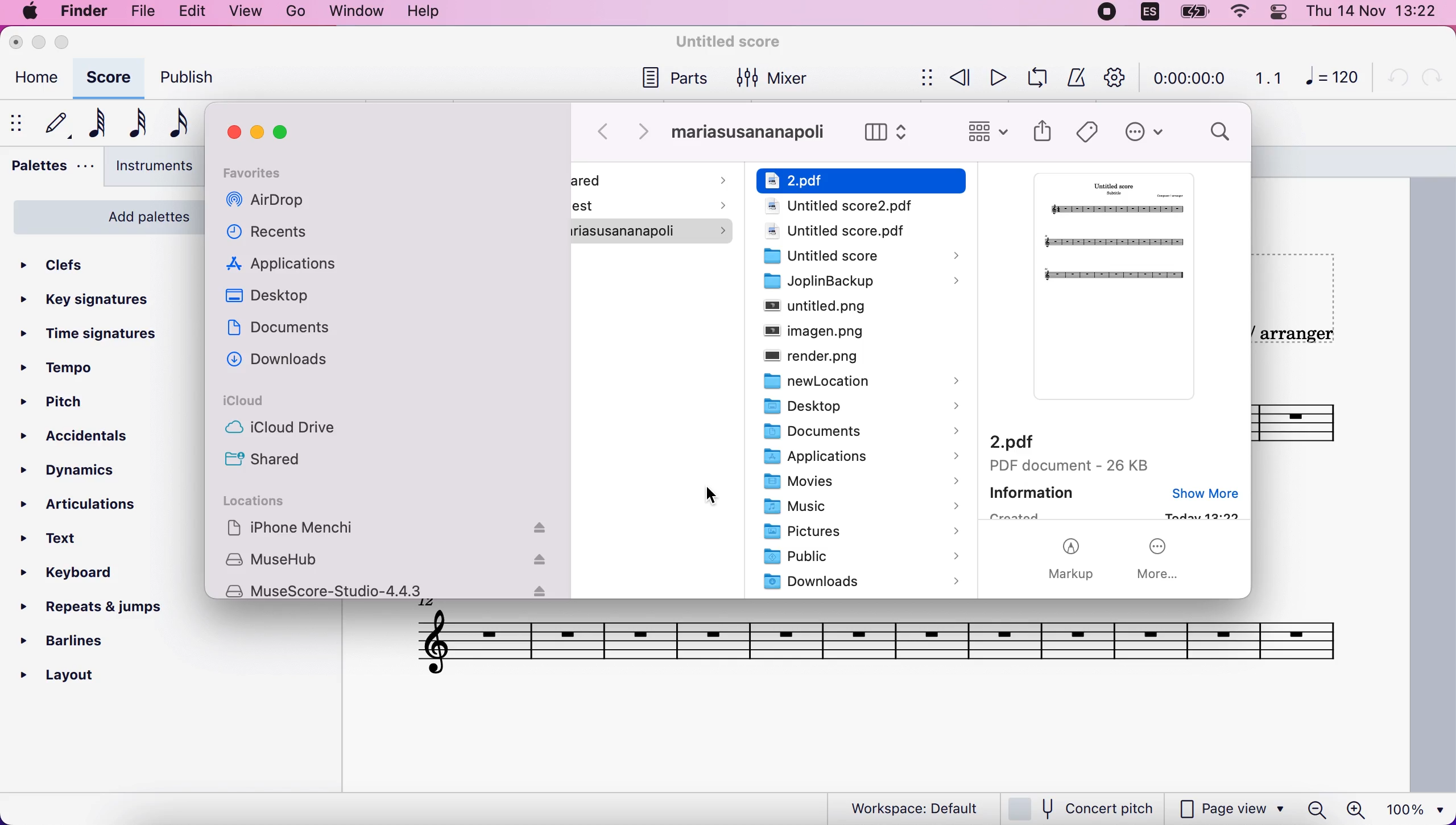  Describe the element at coordinates (84, 442) in the screenshot. I see `accidentals` at that location.